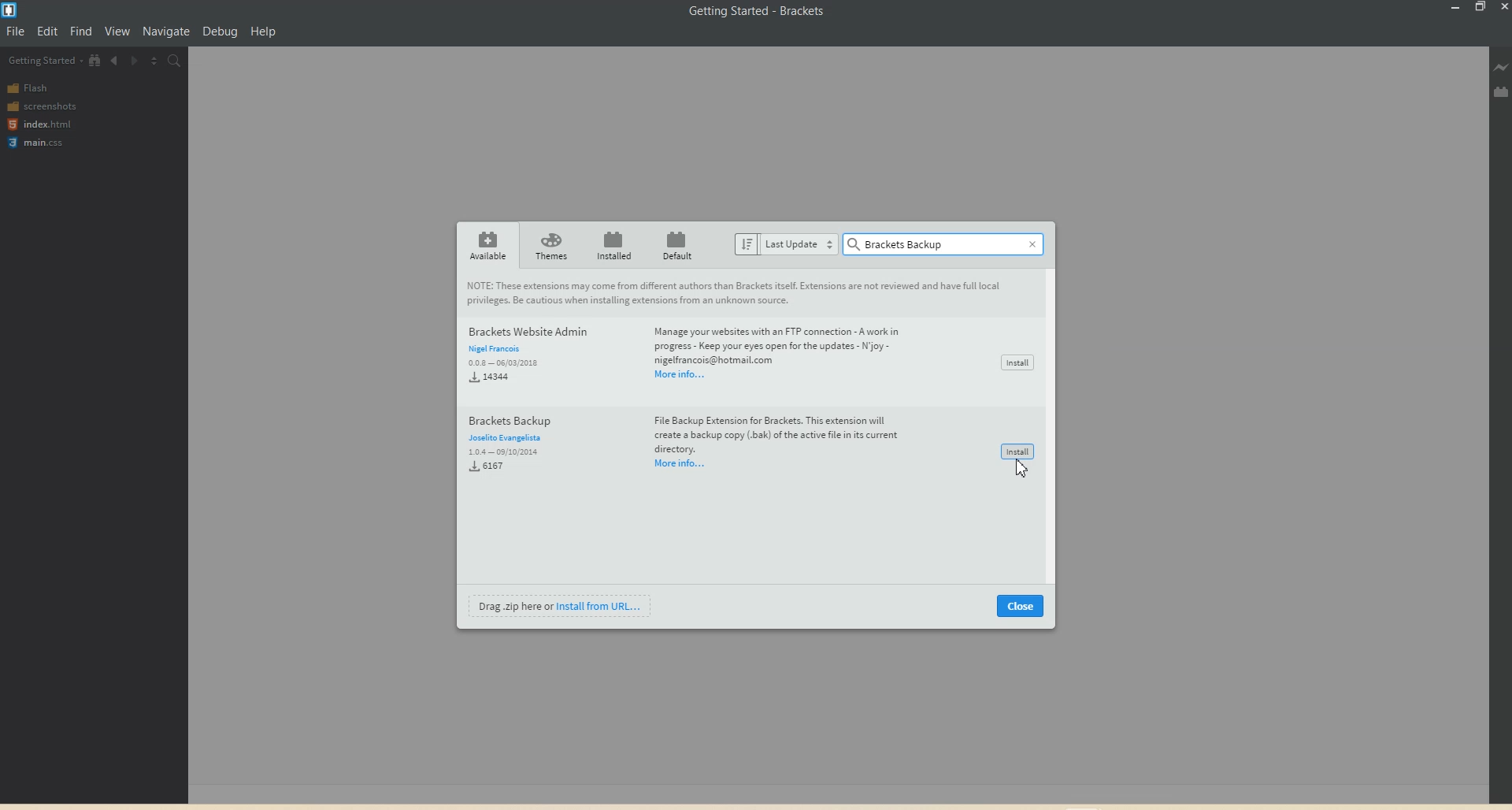  Describe the element at coordinates (759, 13) in the screenshot. I see `Getting Started - Brackets` at that location.